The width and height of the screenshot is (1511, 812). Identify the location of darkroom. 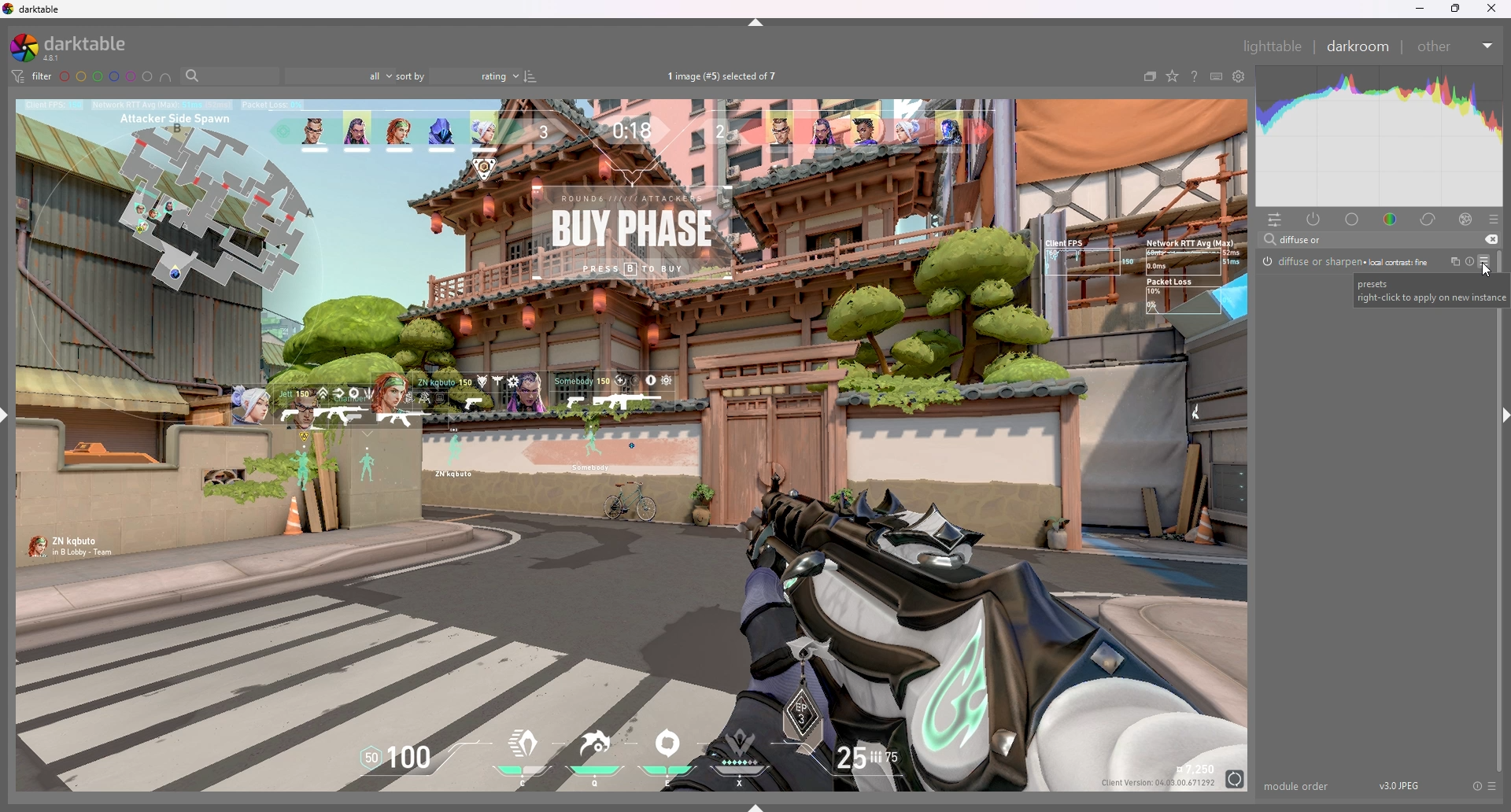
(1360, 46).